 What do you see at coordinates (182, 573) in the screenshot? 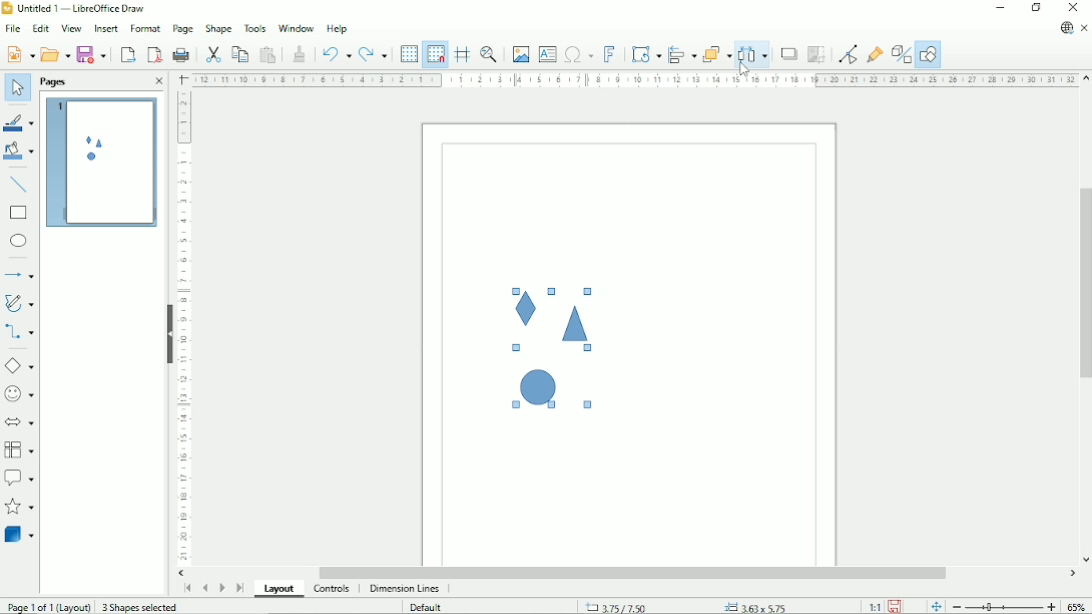
I see `Horizontal scroll button` at bounding box center [182, 573].